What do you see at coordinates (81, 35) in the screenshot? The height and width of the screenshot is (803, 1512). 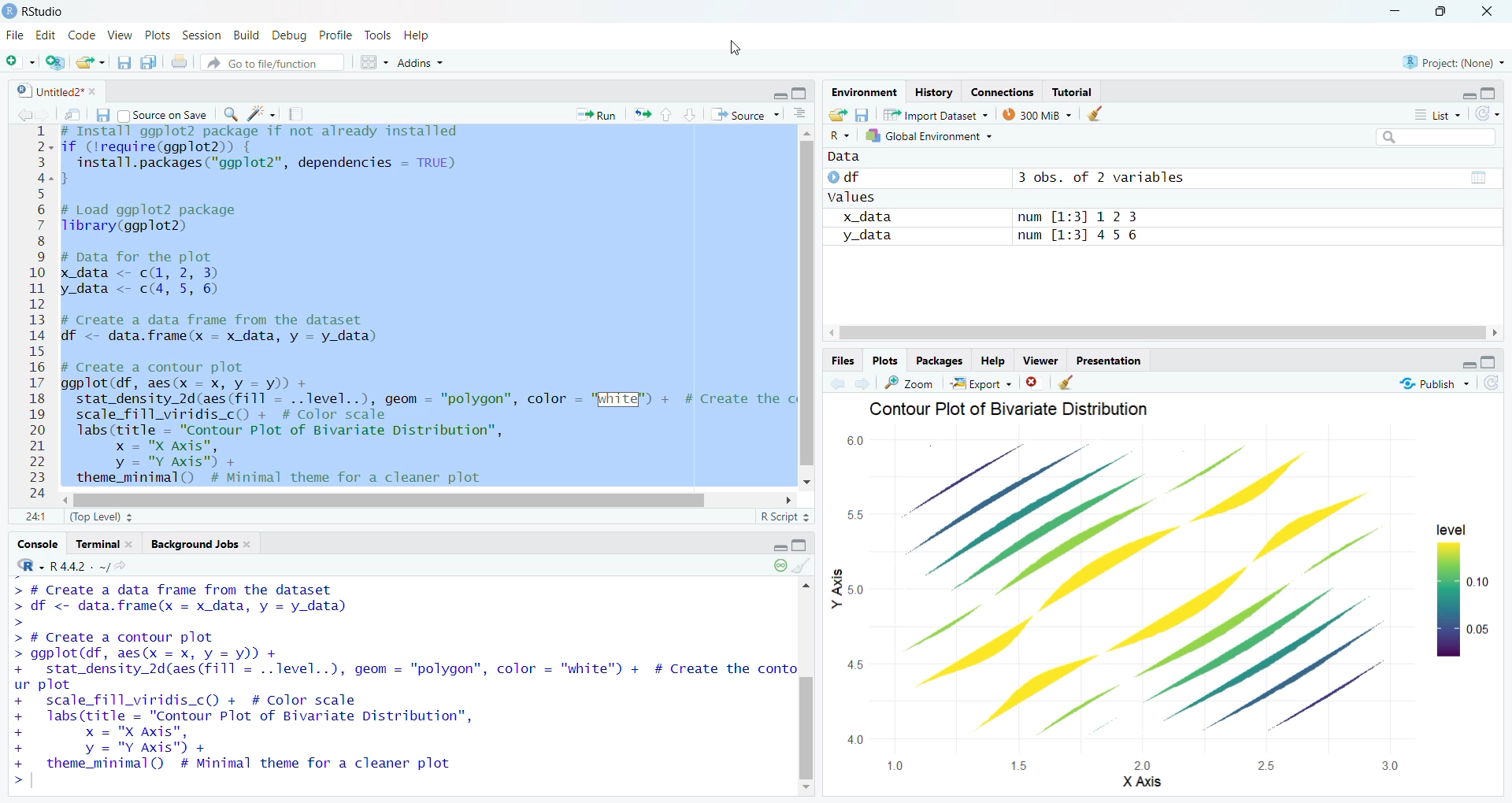 I see `Code` at bounding box center [81, 35].